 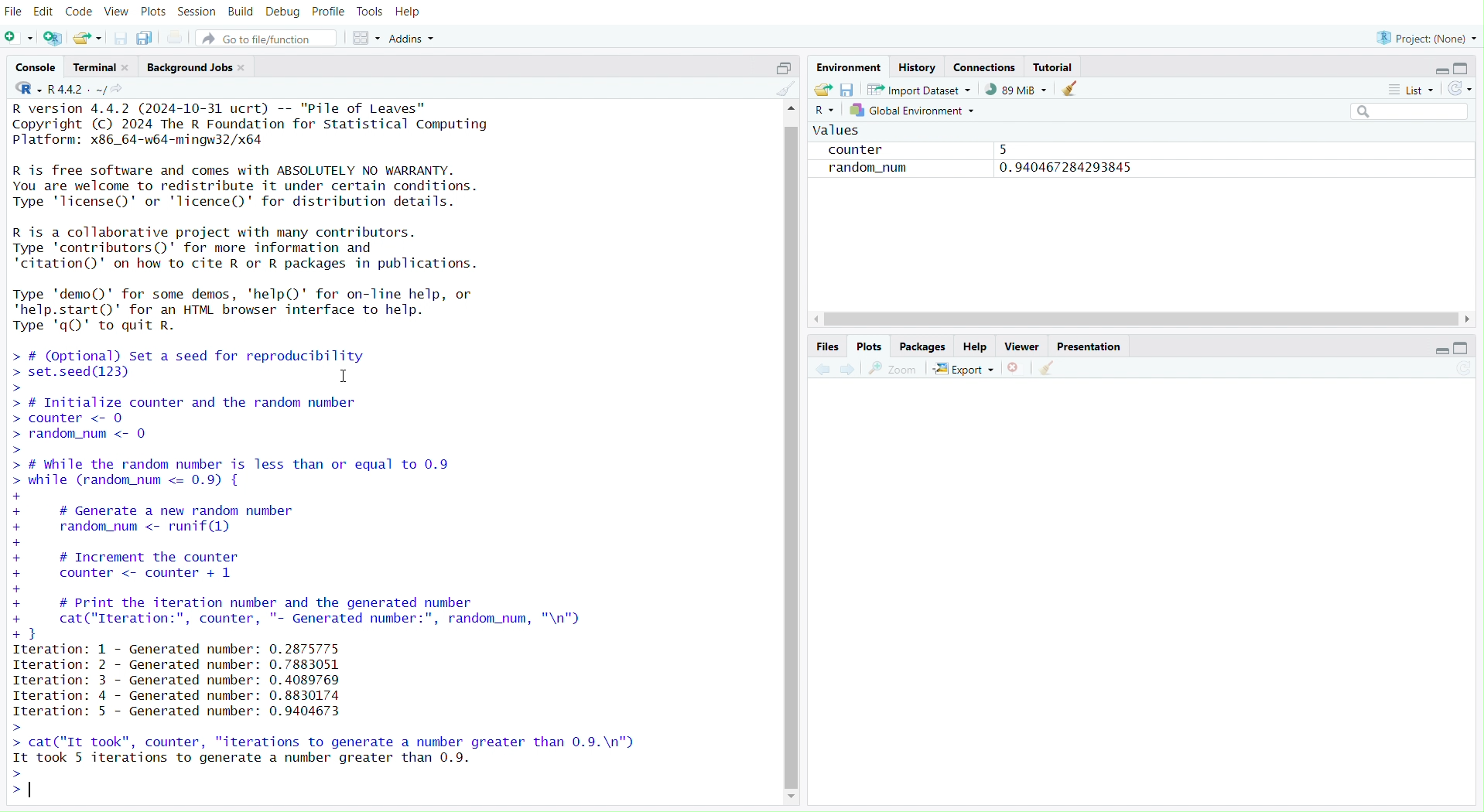 I want to click on Search bar, so click(x=1409, y=108).